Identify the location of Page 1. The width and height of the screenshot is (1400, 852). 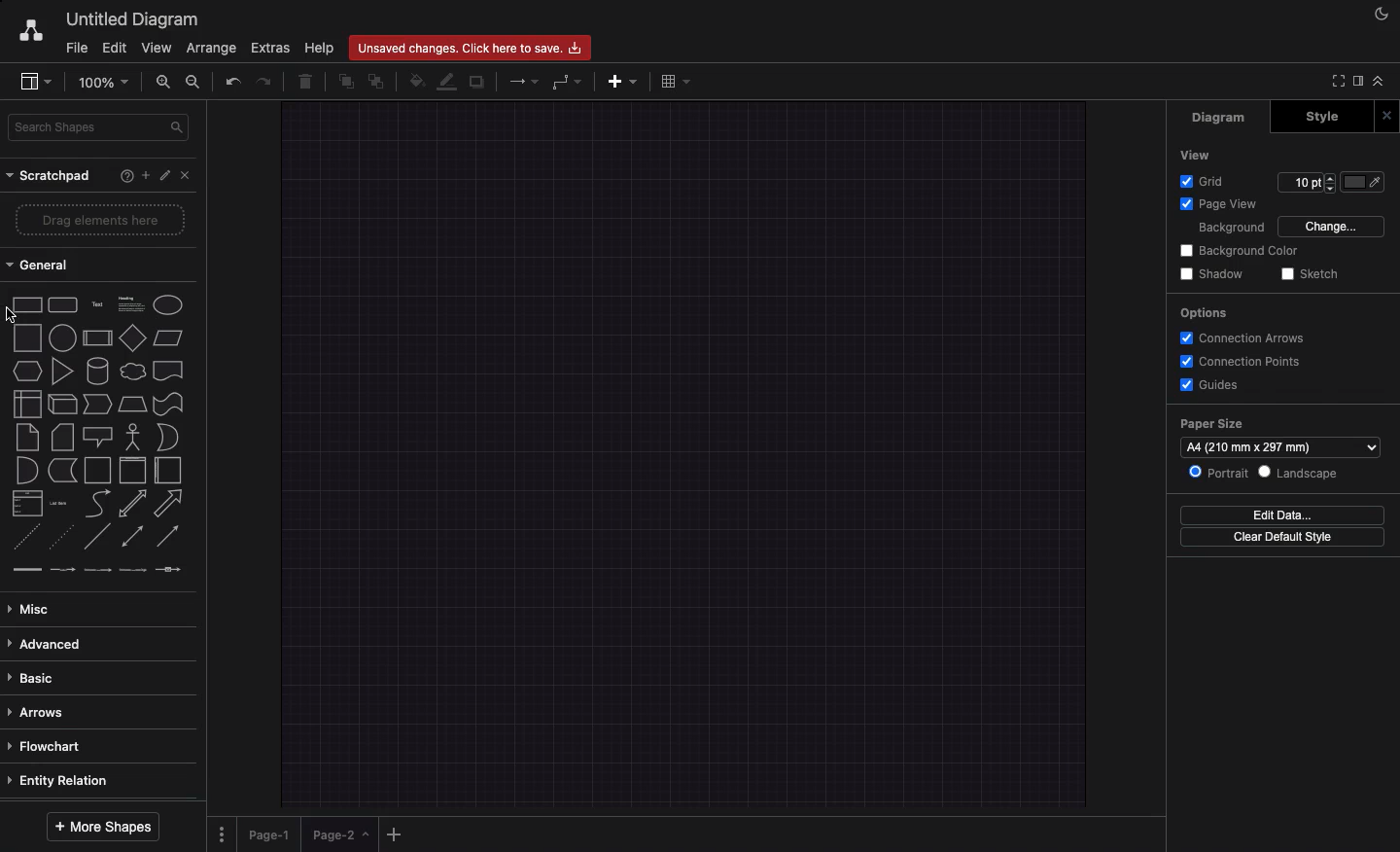
(272, 831).